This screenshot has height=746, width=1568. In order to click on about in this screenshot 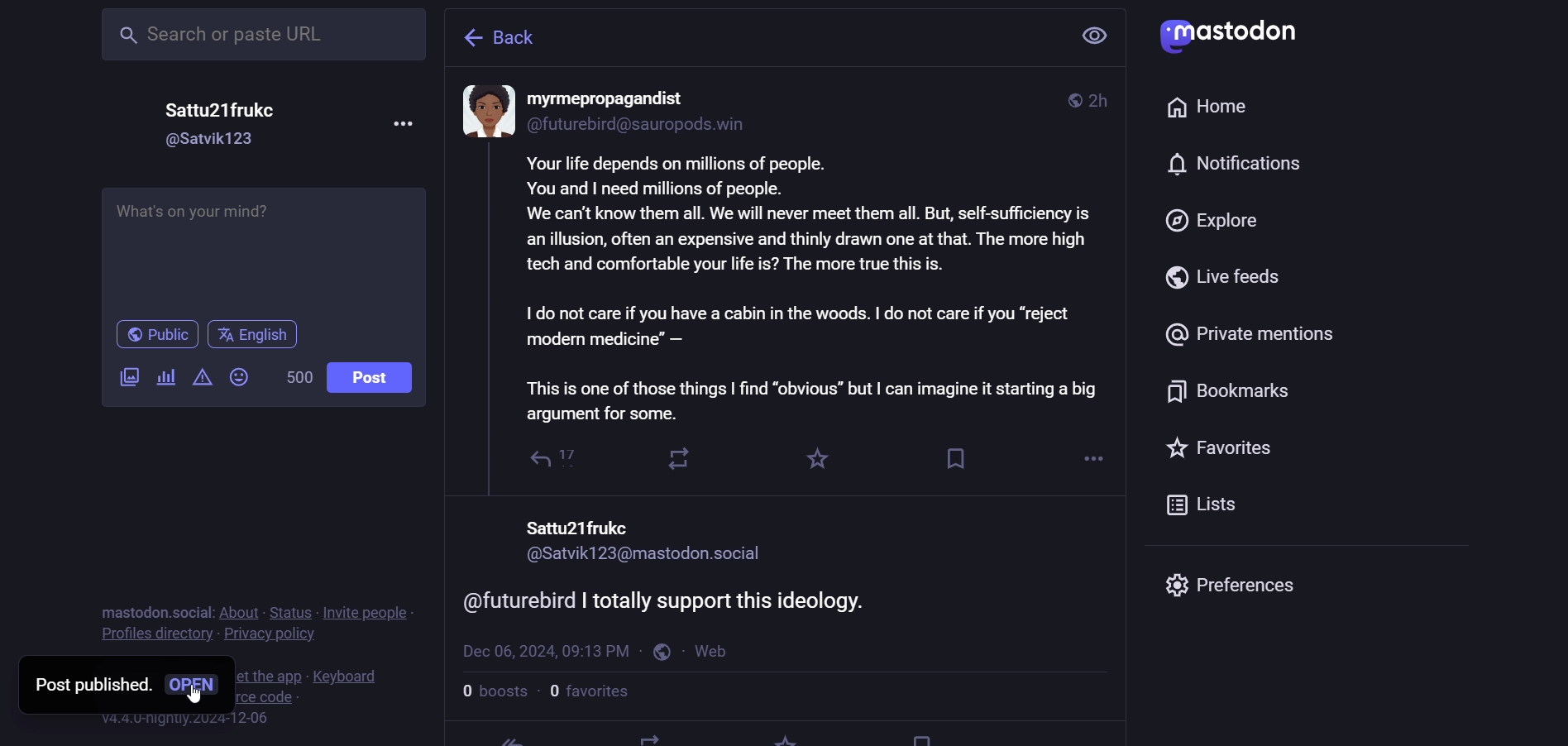, I will do `click(241, 612)`.